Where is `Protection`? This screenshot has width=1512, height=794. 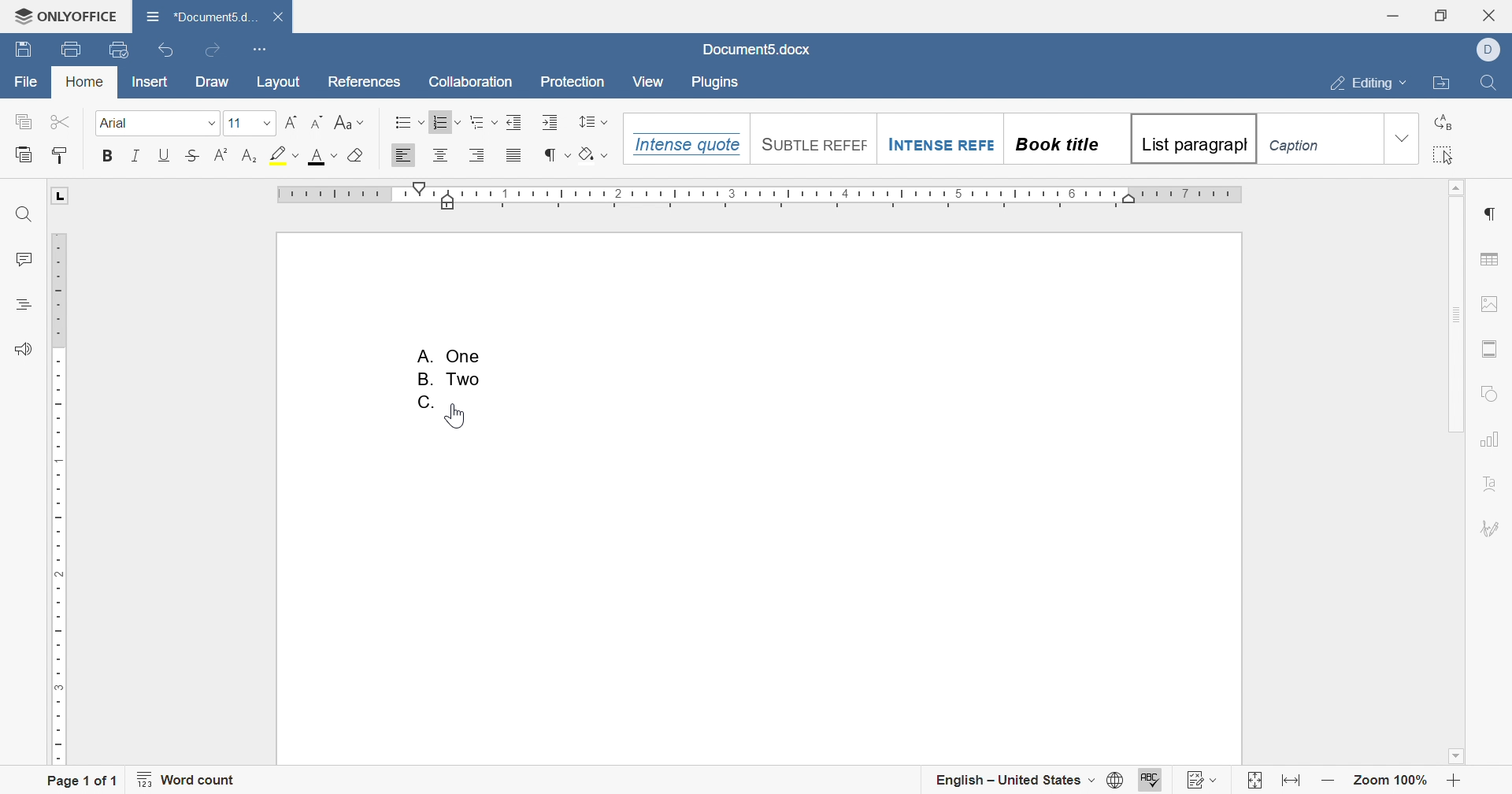
Protection is located at coordinates (575, 82).